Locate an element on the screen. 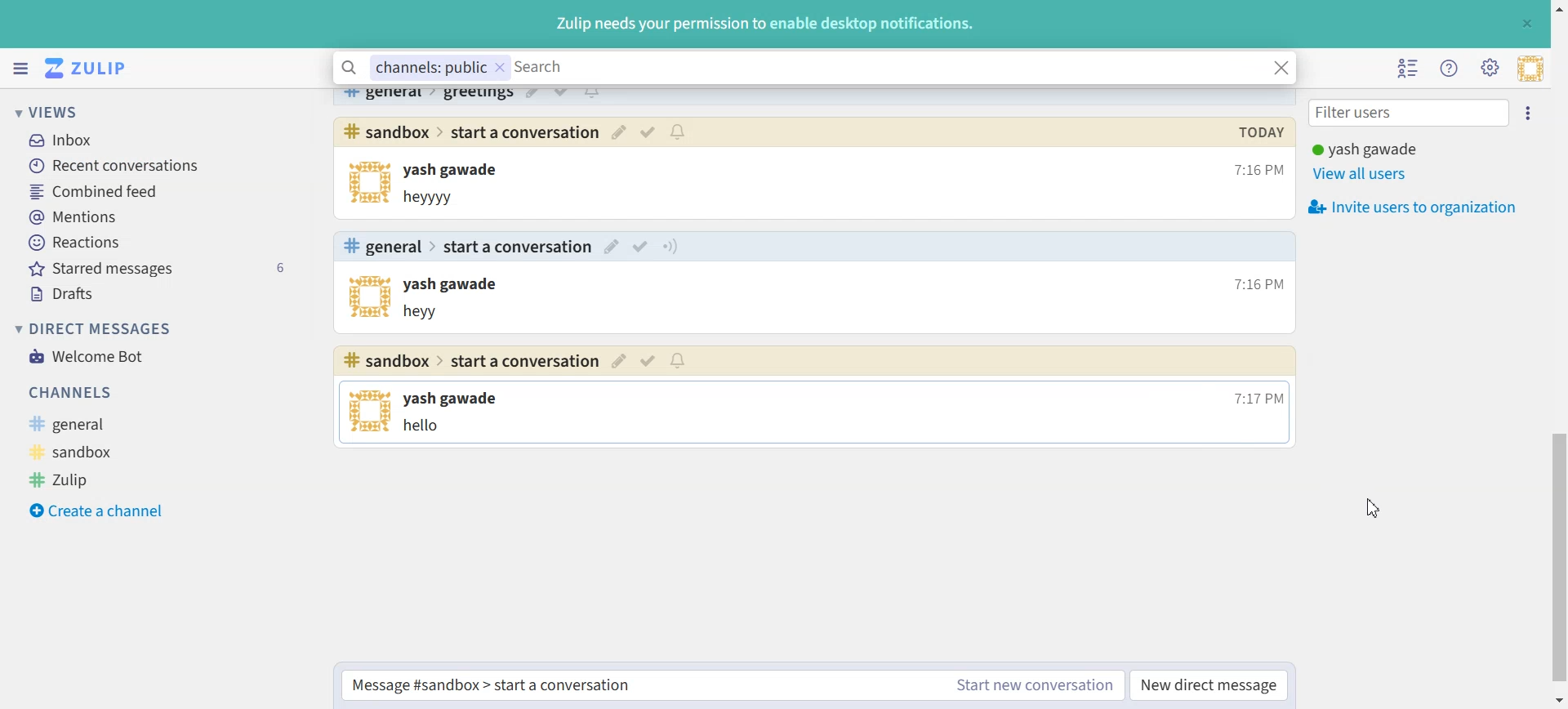  Today is located at coordinates (1260, 131).